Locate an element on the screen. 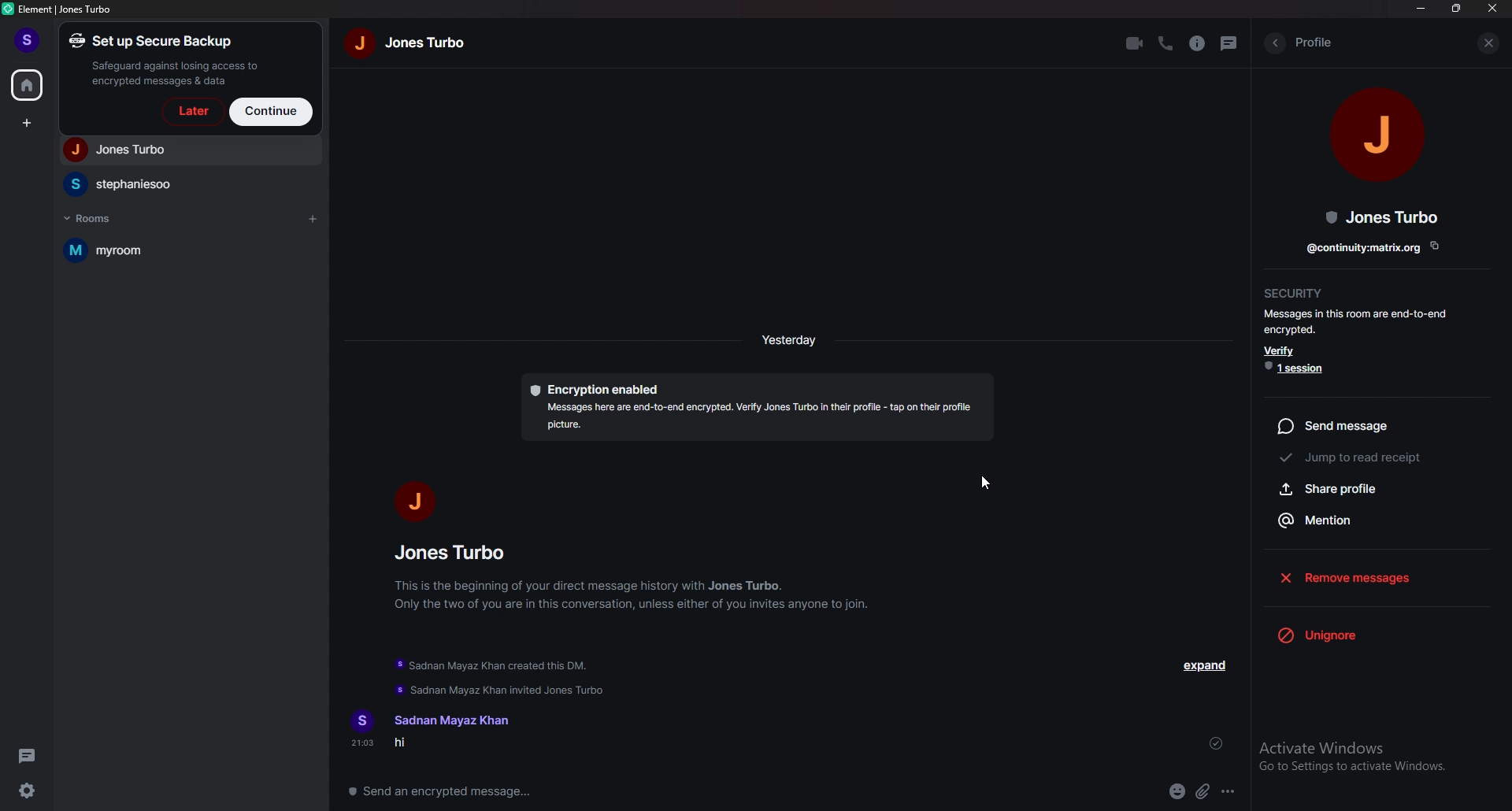 This screenshot has width=1512, height=811. name is located at coordinates (449, 720).